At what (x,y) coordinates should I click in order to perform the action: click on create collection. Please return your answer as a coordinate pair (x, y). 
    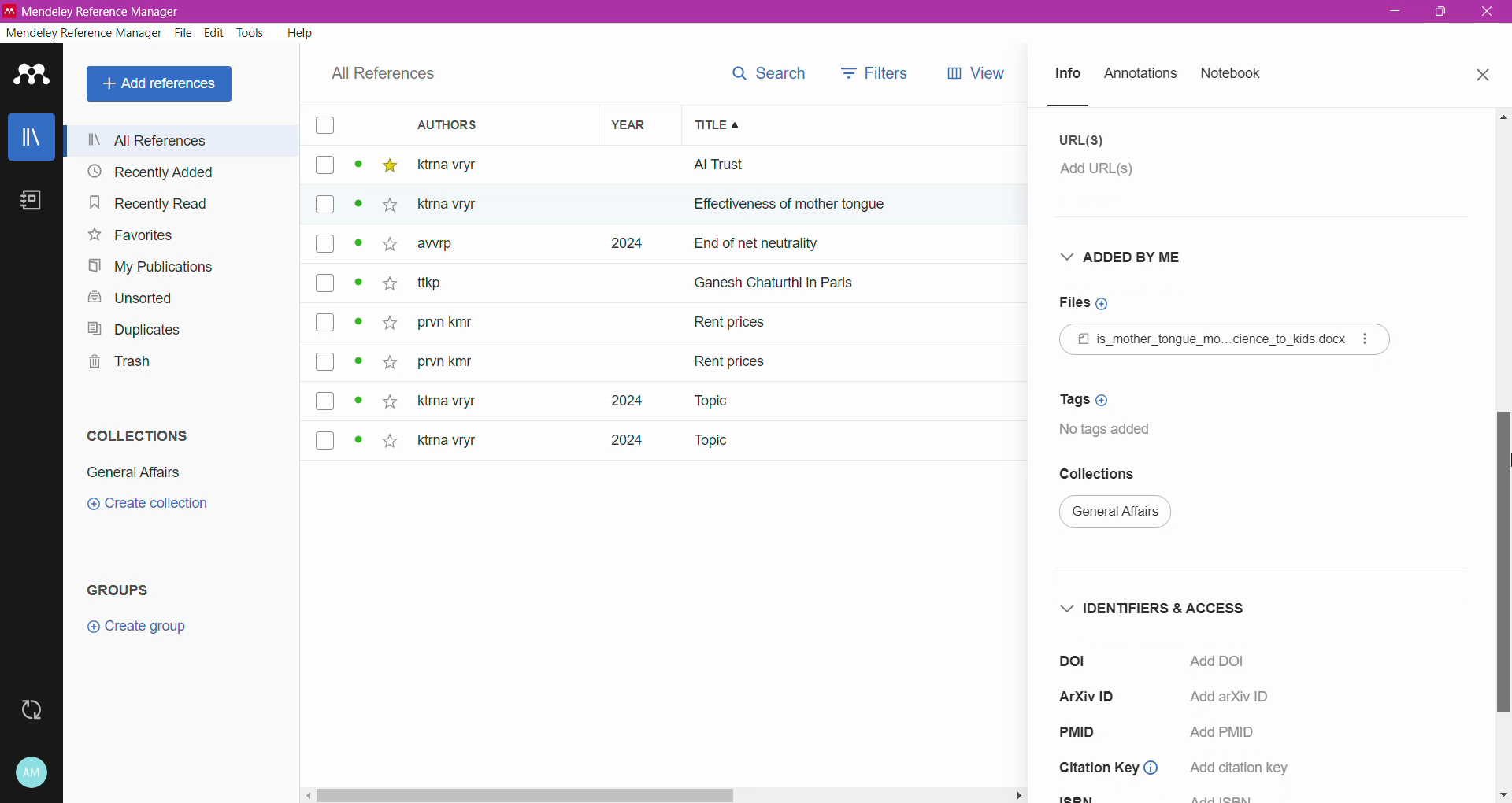
    Looking at the image, I should click on (159, 509).